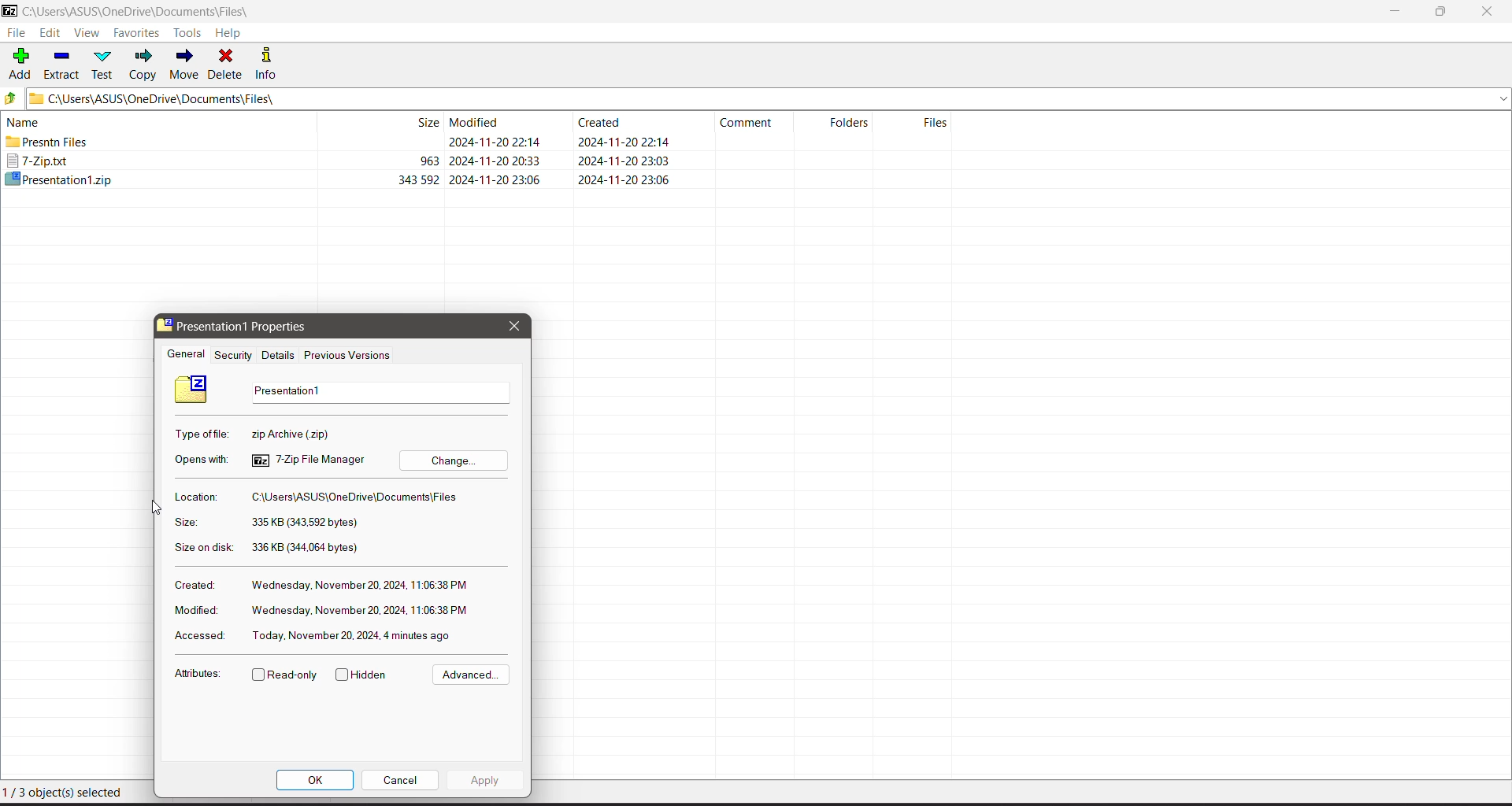 The width and height of the screenshot is (1512, 806). Describe the element at coordinates (484, 121) in the screenshot. I see `Current Folder View` at that location.